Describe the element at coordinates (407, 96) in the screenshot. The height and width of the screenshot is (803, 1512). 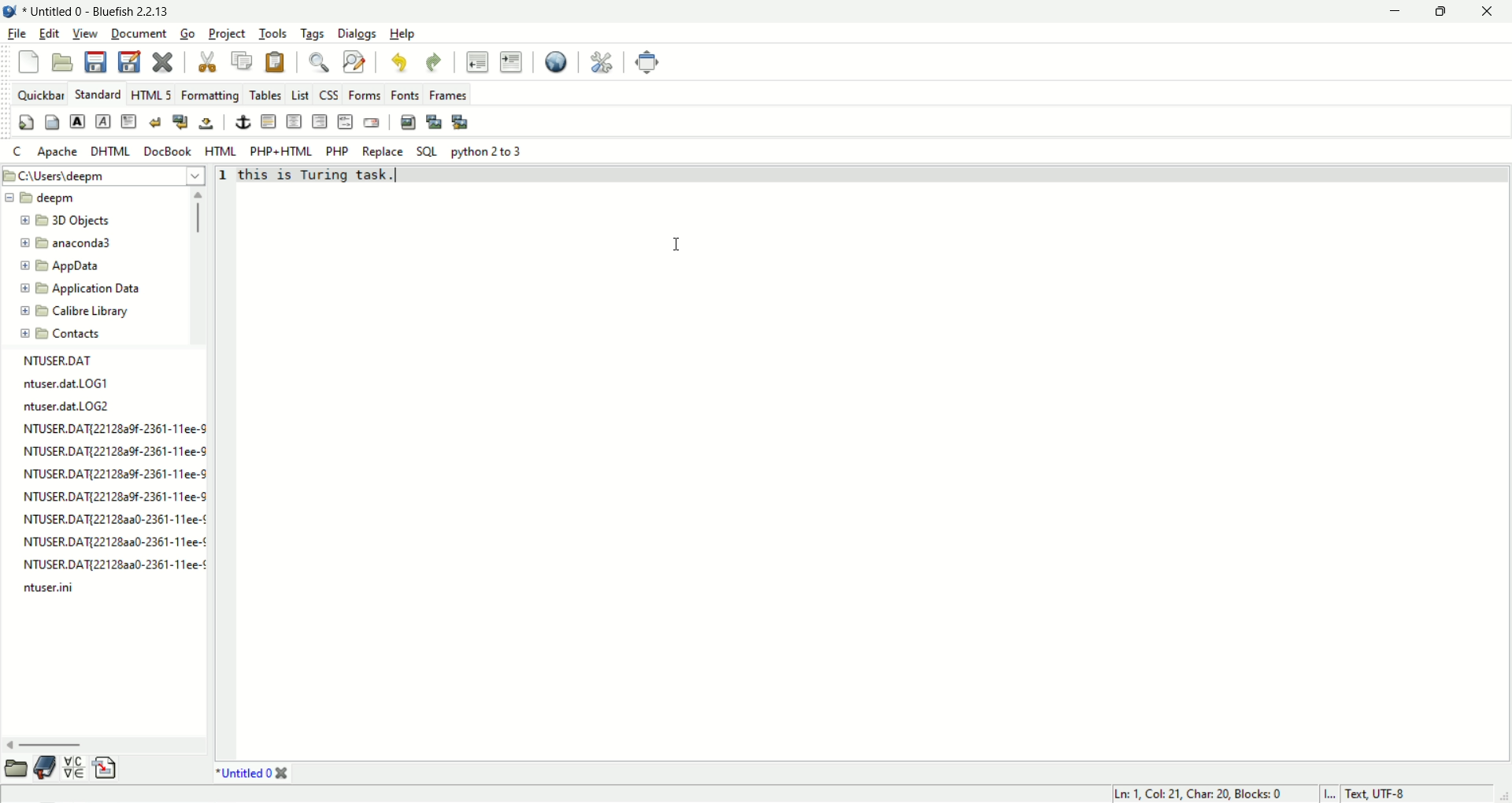
I see `Fonts` at that location.